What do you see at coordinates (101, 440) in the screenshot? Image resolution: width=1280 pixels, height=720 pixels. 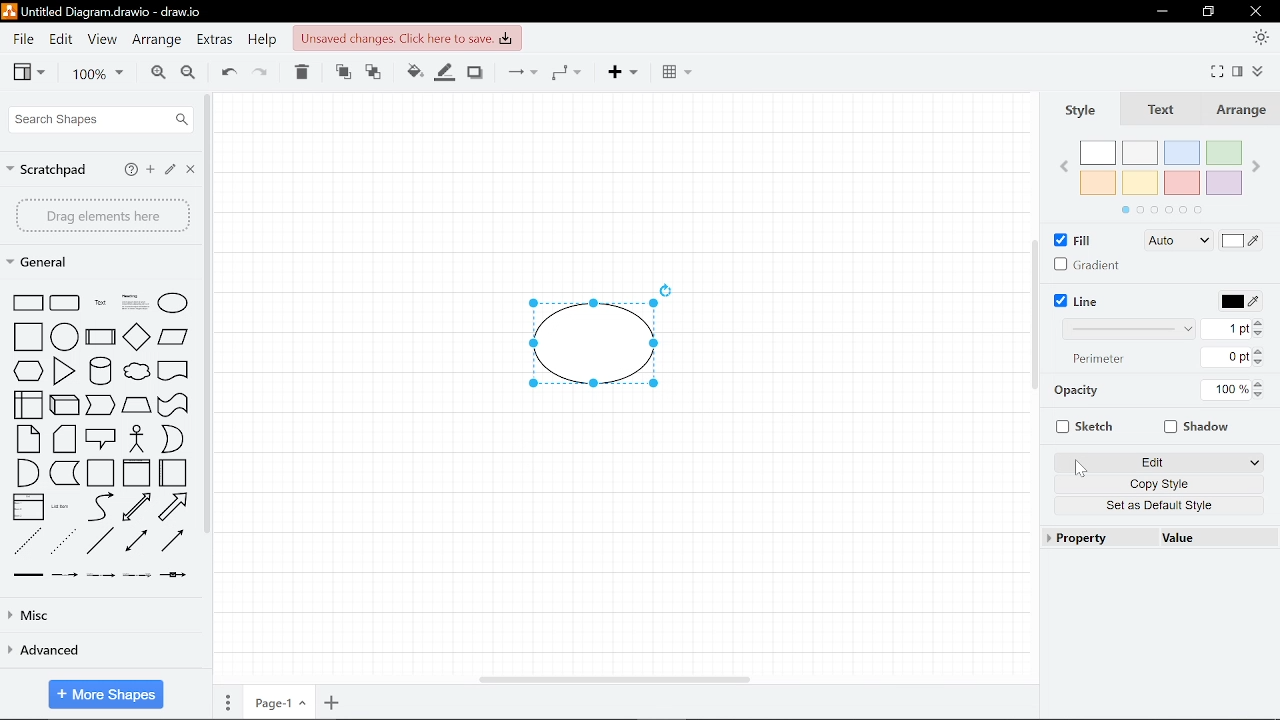 I see `callout` at bounding box center [101, 440].